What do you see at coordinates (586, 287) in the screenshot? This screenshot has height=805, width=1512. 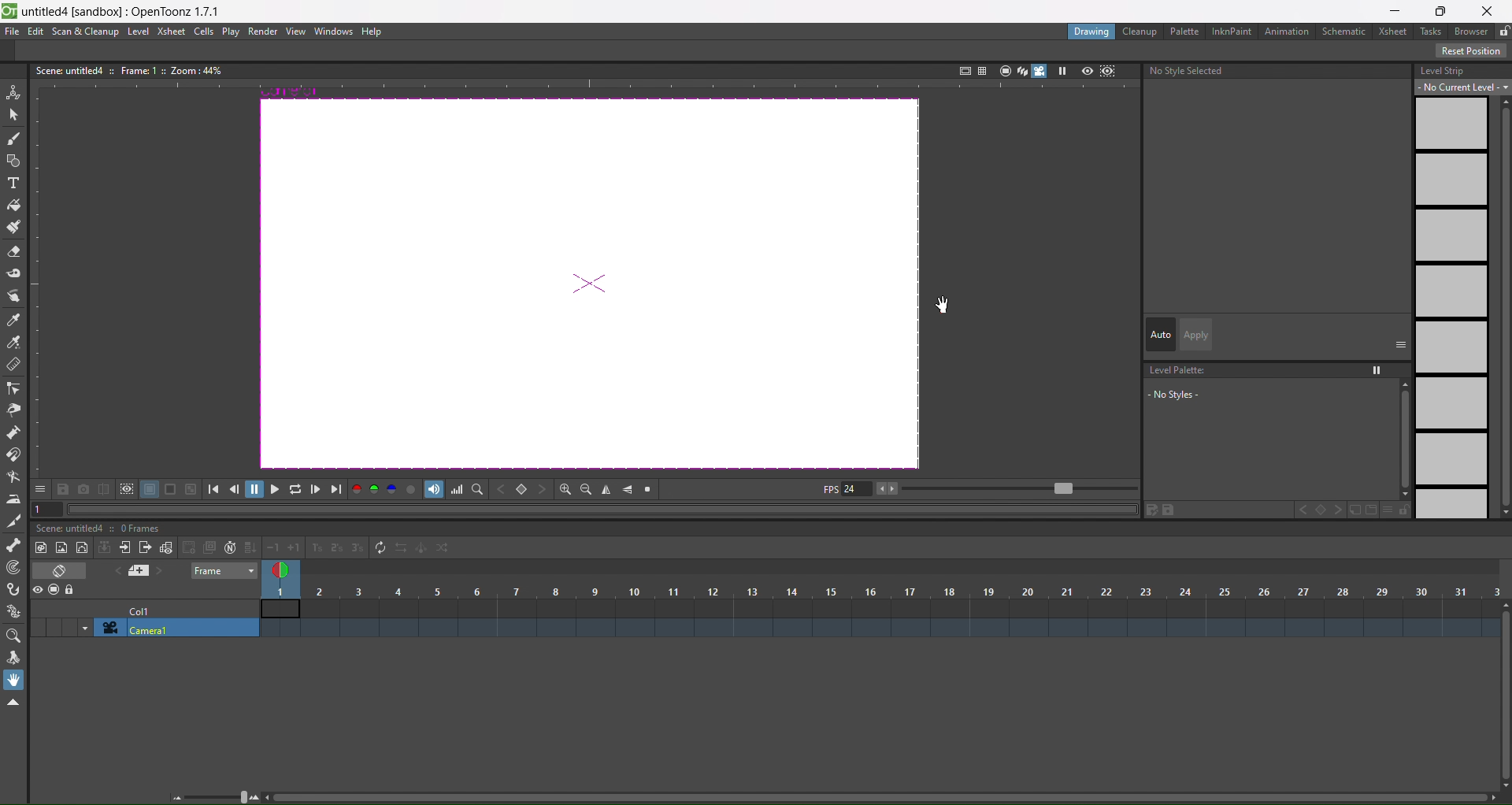 I see `image` at bounding box center [586, 287].